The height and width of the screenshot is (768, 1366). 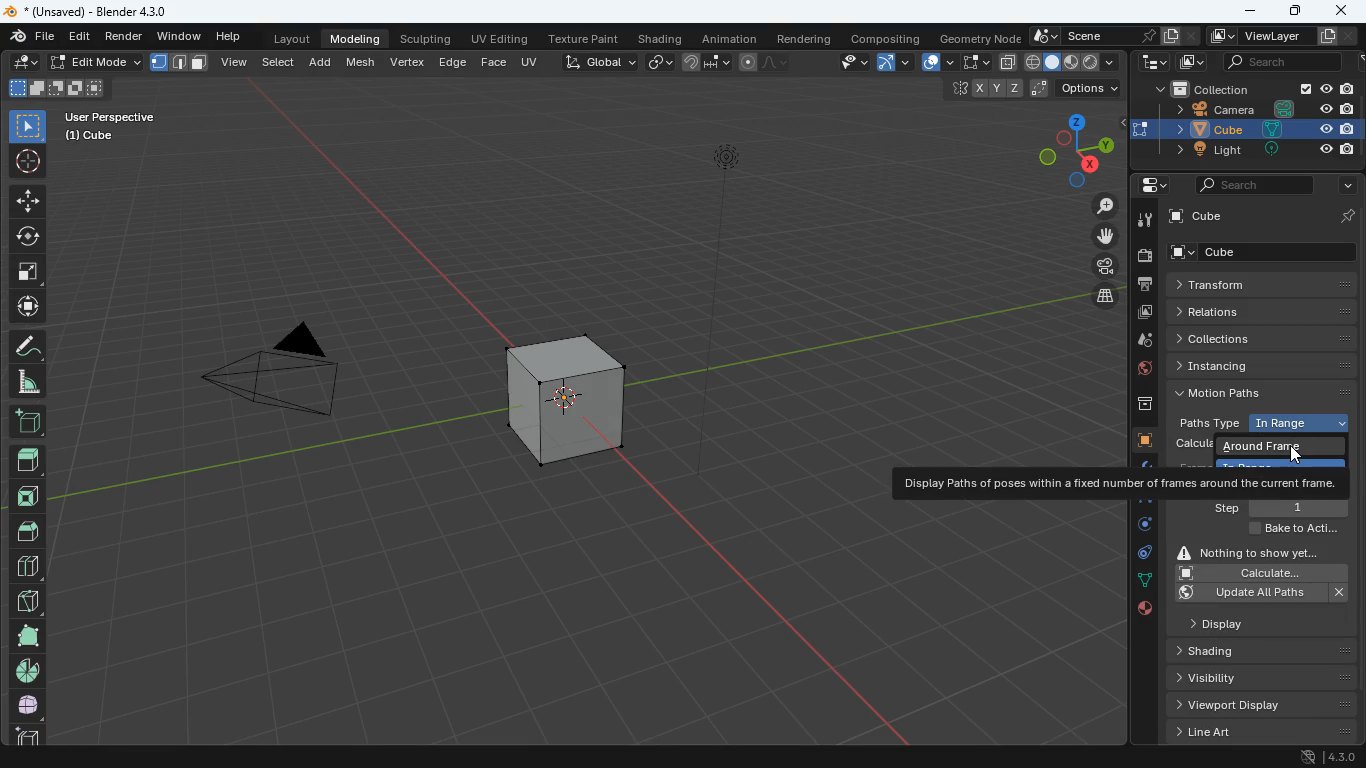 I want to click on whole, so click(x=26, y=635).